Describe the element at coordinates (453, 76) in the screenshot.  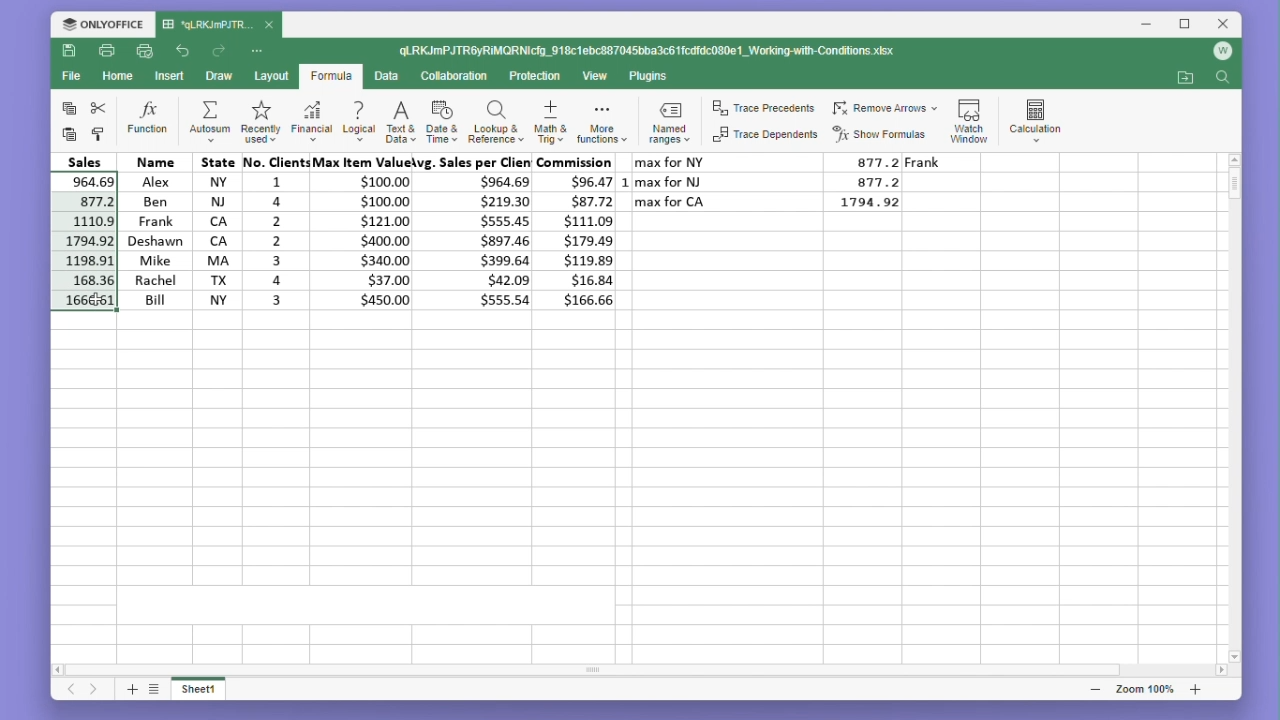
I see `Collaboration` at that location.